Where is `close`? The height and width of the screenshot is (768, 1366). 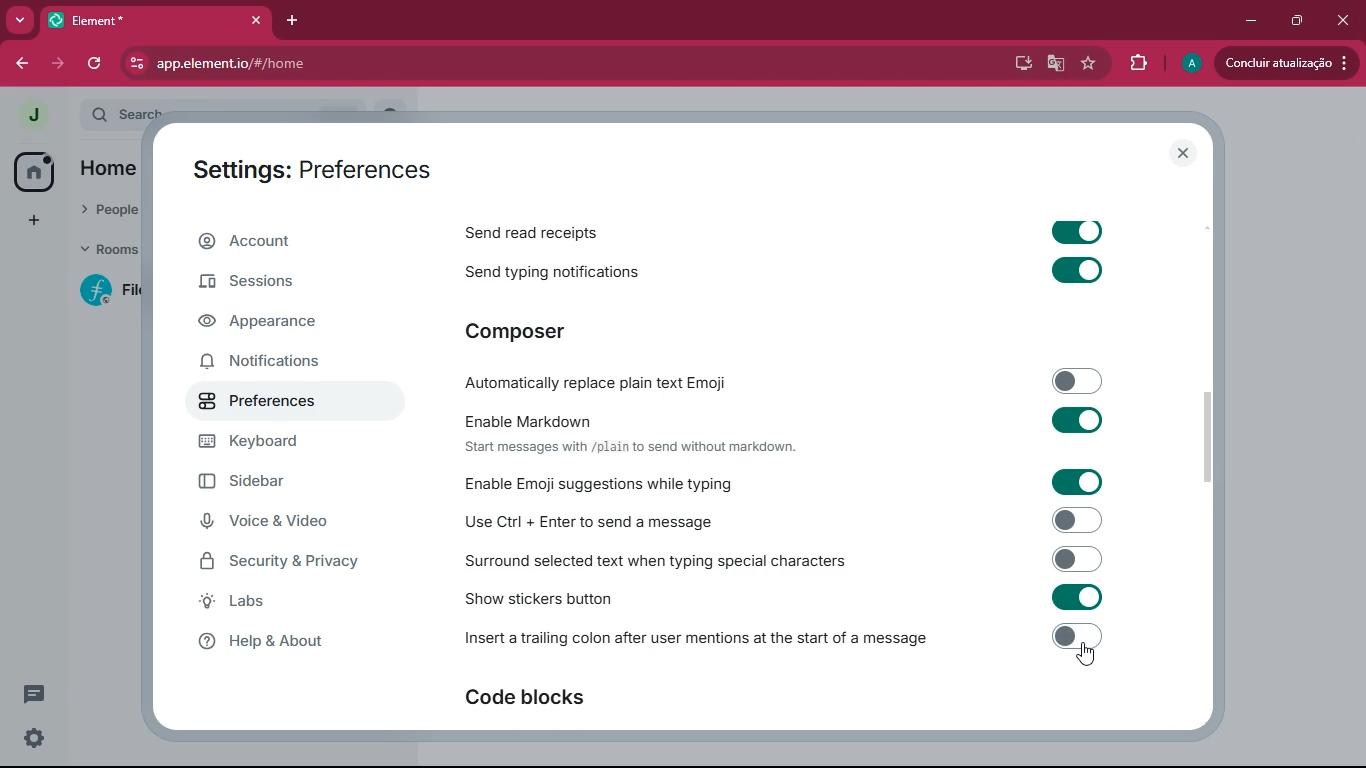
close is located at coordinates (1185, 153).